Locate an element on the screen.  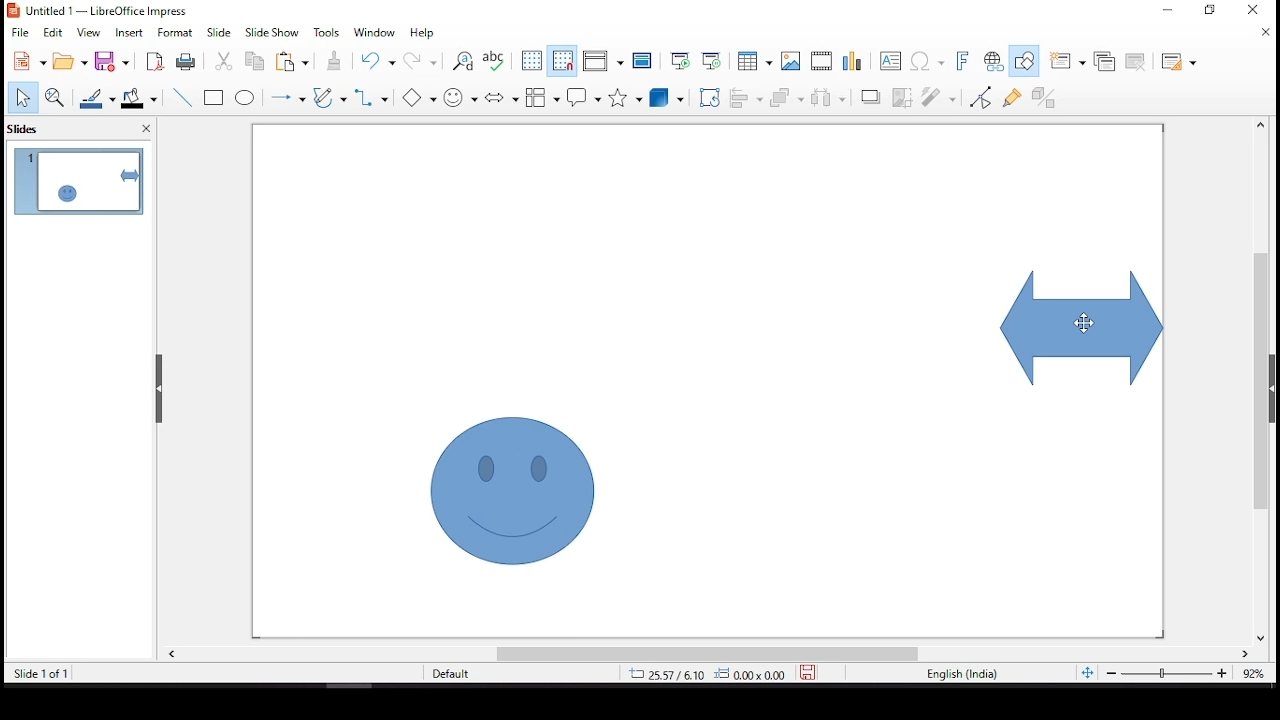
start from first slide is located at coordinates (677, 59).